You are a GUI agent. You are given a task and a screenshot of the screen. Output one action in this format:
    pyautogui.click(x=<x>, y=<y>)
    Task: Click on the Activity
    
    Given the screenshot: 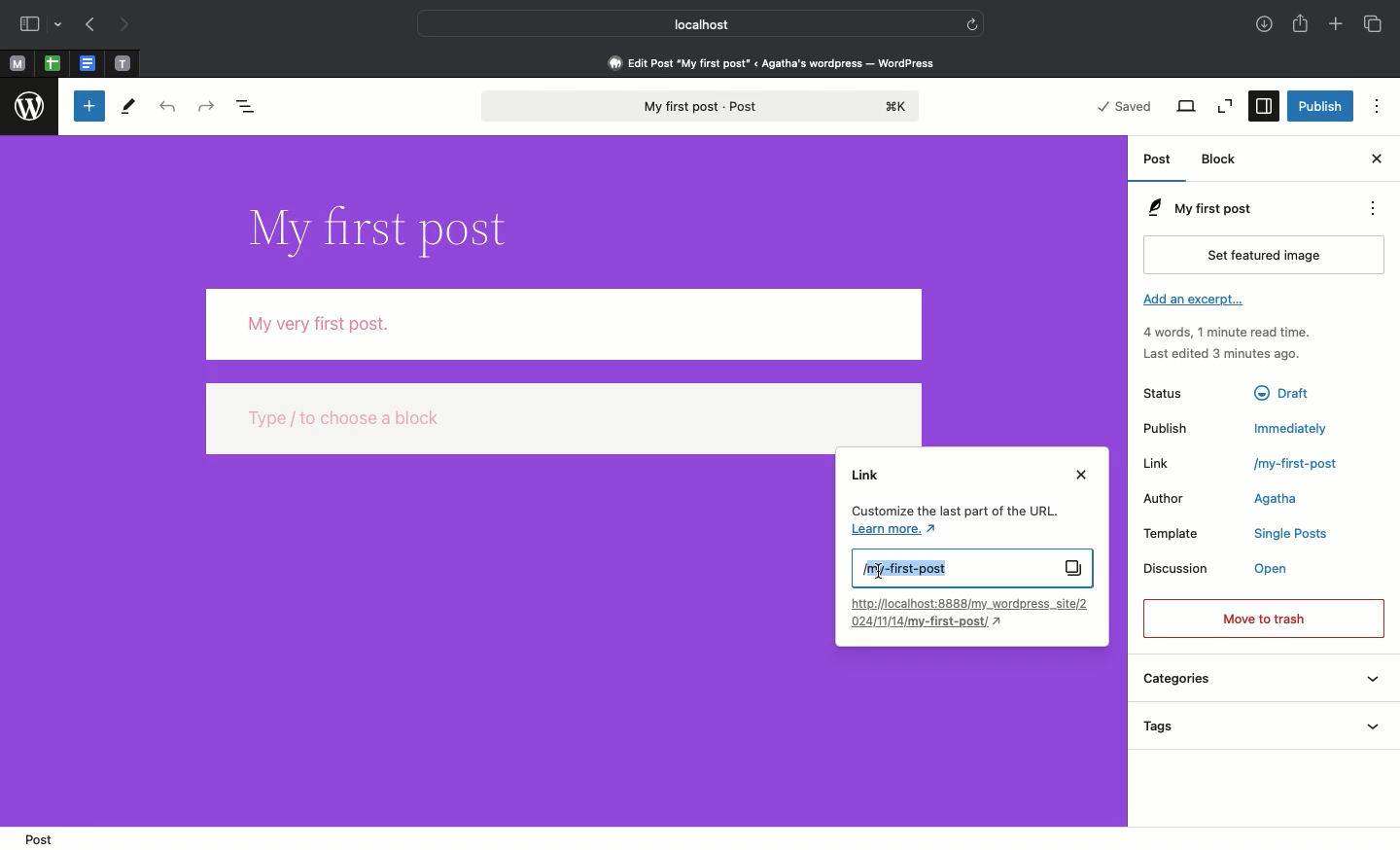 What is the action you would take?
    pyautogui.click(x=1233, y=341)
    